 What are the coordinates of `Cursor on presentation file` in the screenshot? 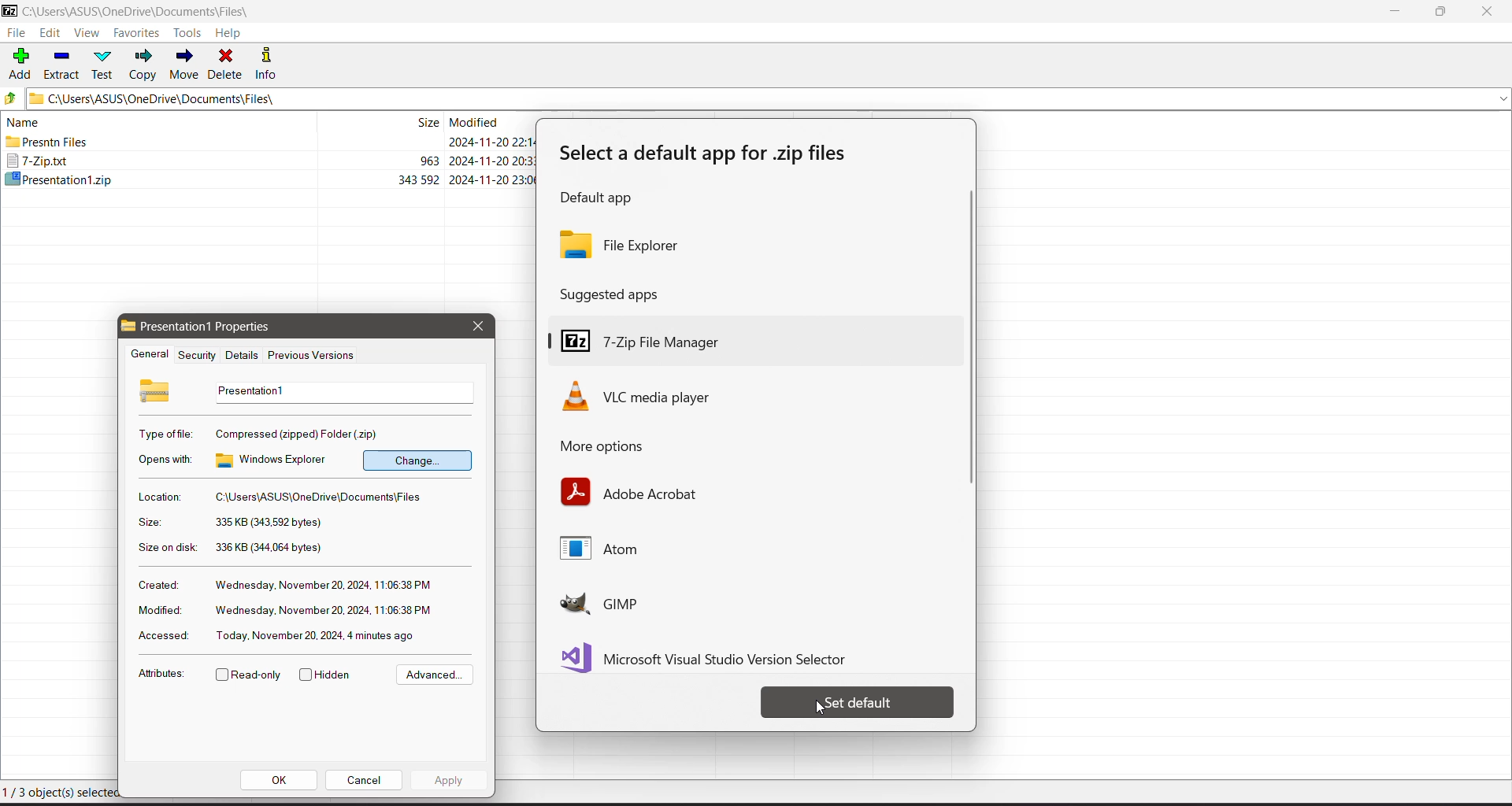 It's located at (272, 179).